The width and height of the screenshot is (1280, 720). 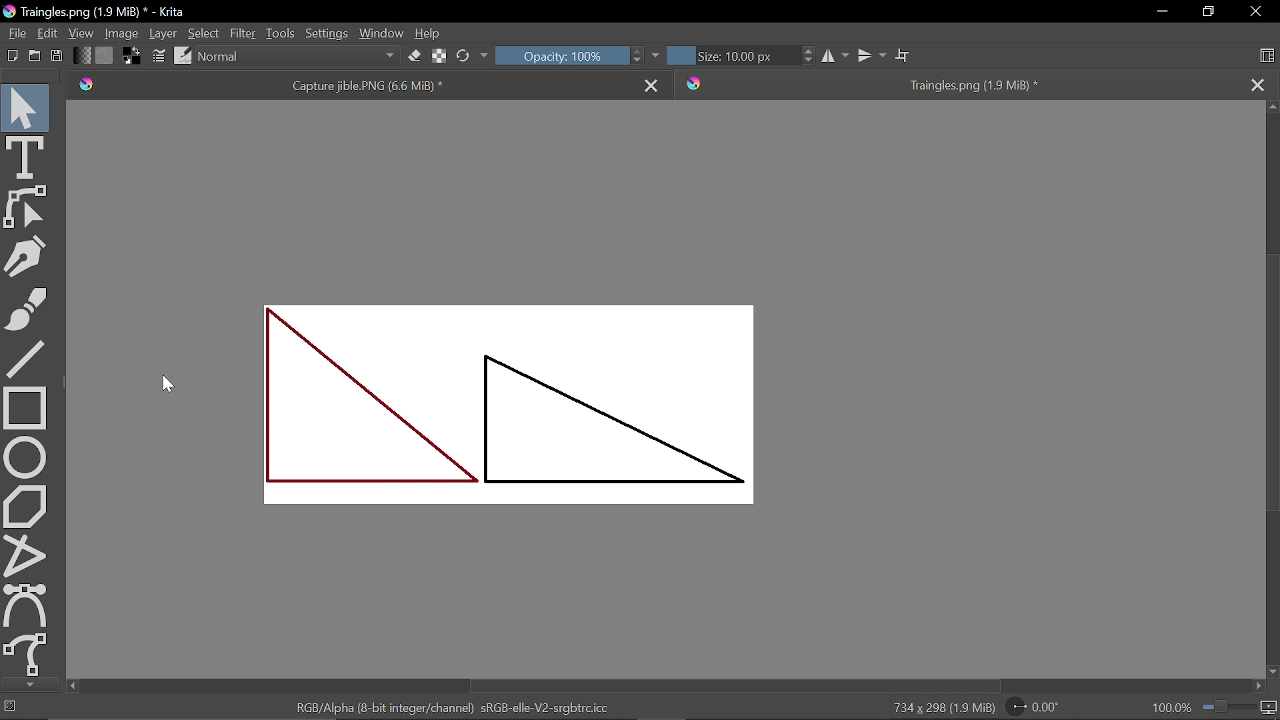 What do you see at coordinates (452, 707) in the screenshot?
I see `RGB/Alpha (8-bit integer/channel) sRGB-elle-V2-srgbtrc.icc` at bounding box center [452, 707].